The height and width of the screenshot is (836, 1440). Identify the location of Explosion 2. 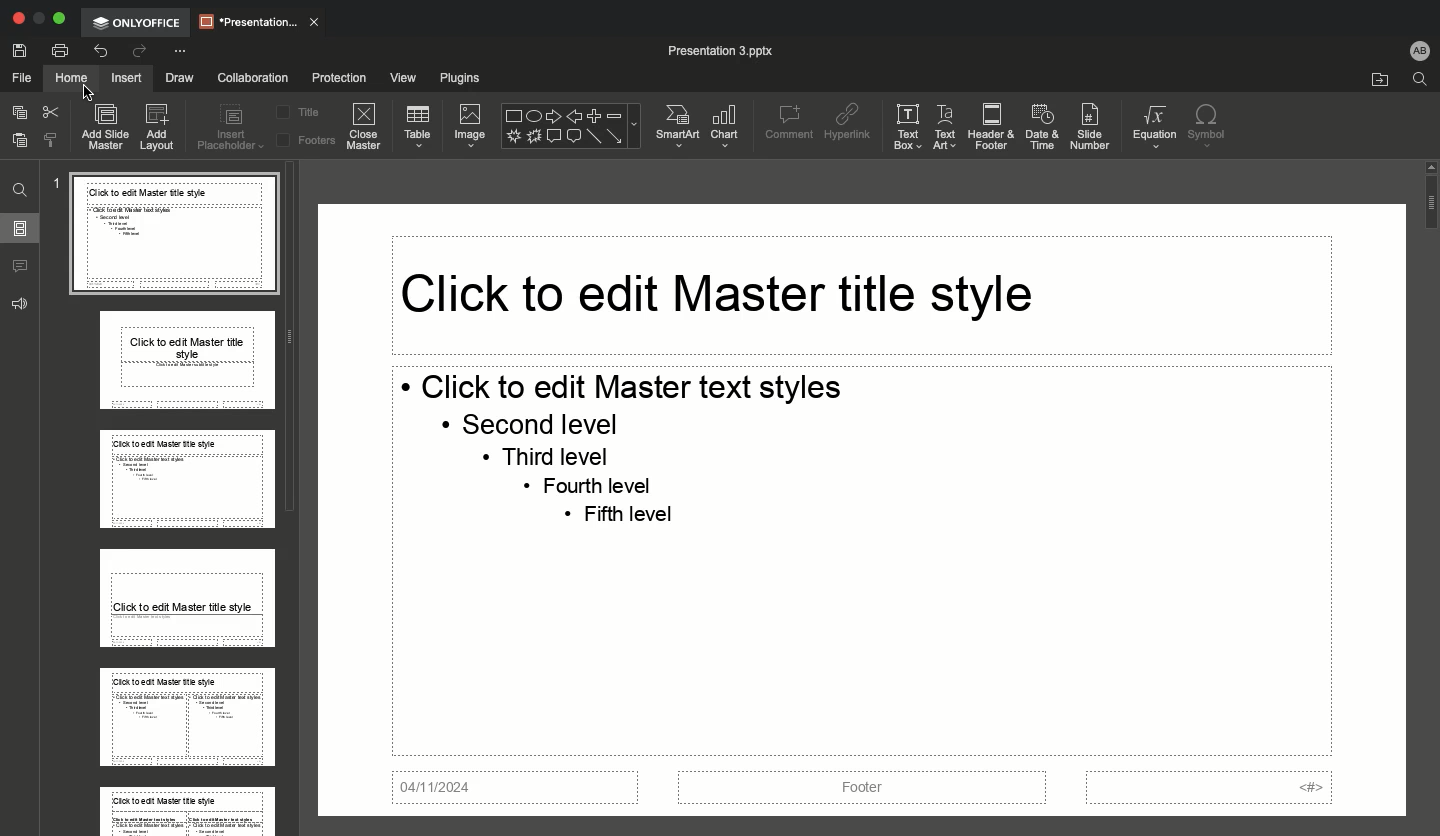
(534, 138).